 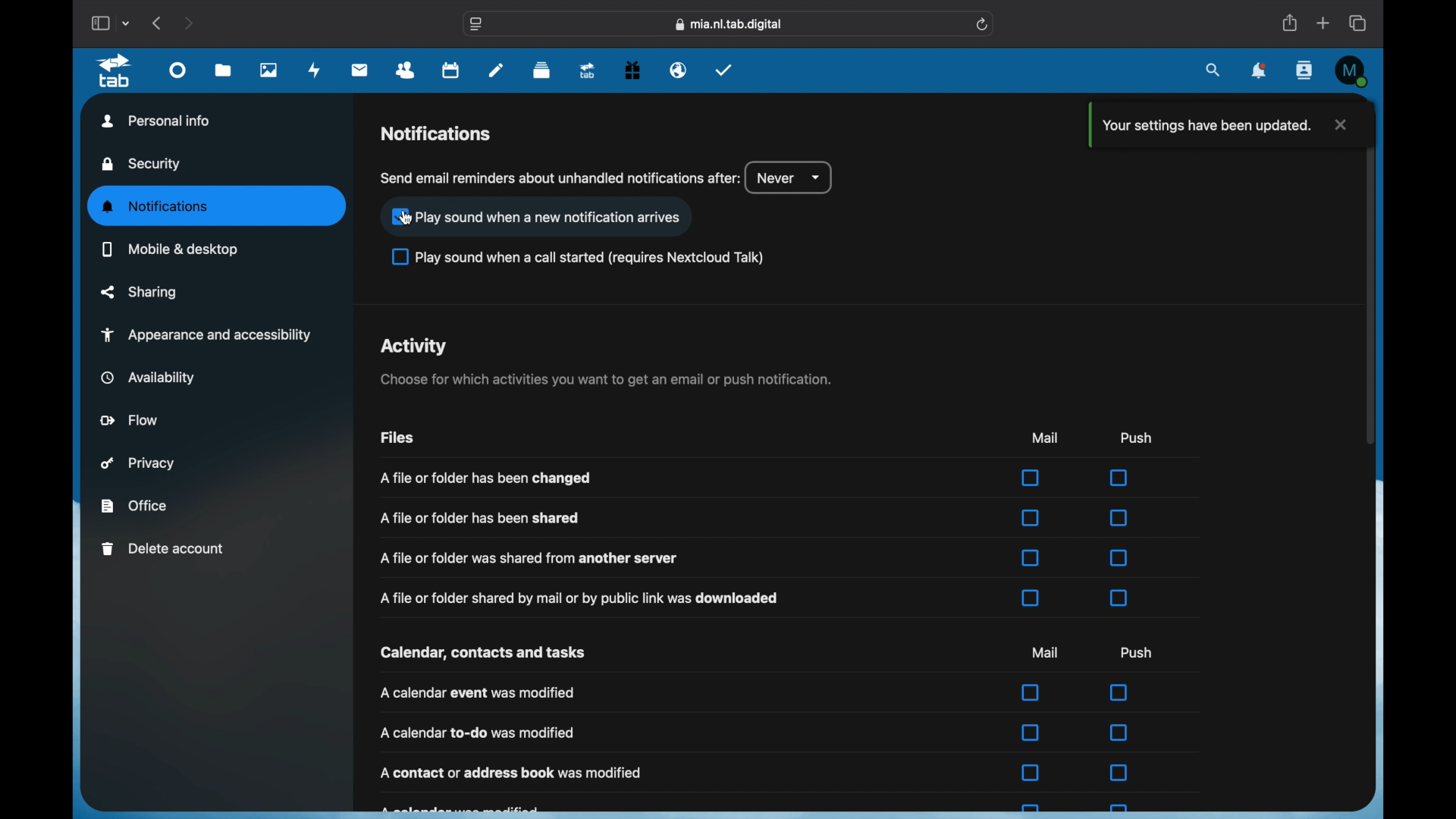 What do you see at coordinates (586, 71) in the screenshot?
I see `upgrade` at bounding box center [586, 71].